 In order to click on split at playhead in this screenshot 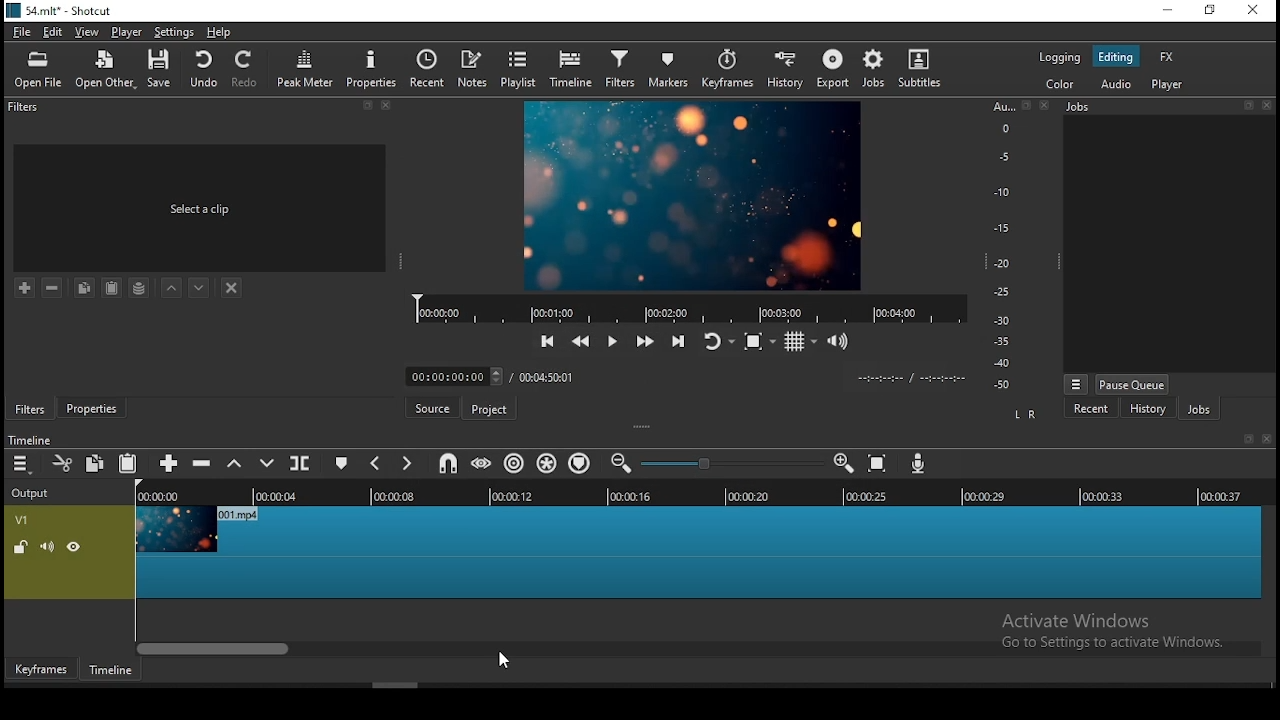, I will do `click(299, 462)`.